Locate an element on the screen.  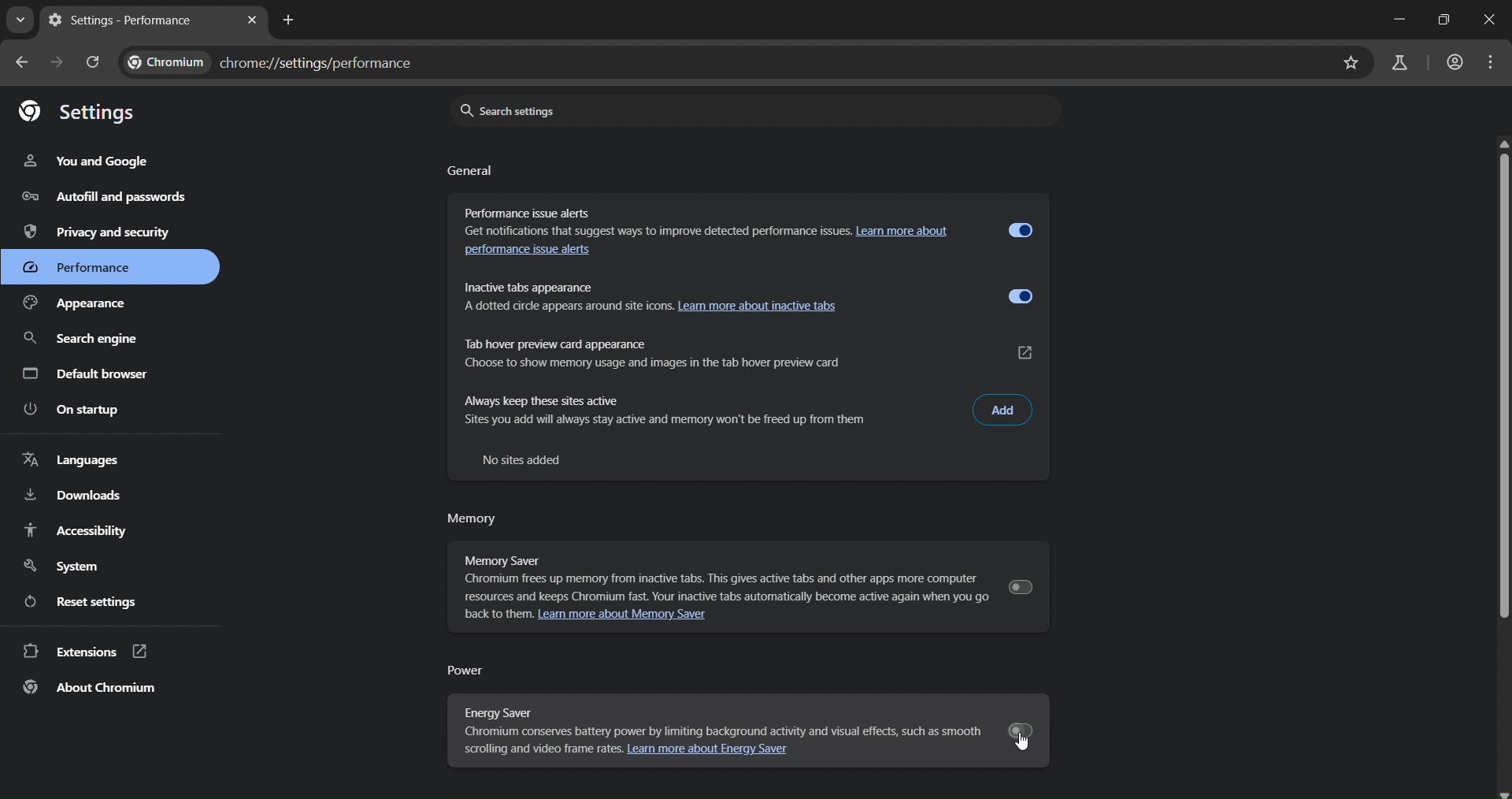
accessibility is located at coordinates (76, 530).